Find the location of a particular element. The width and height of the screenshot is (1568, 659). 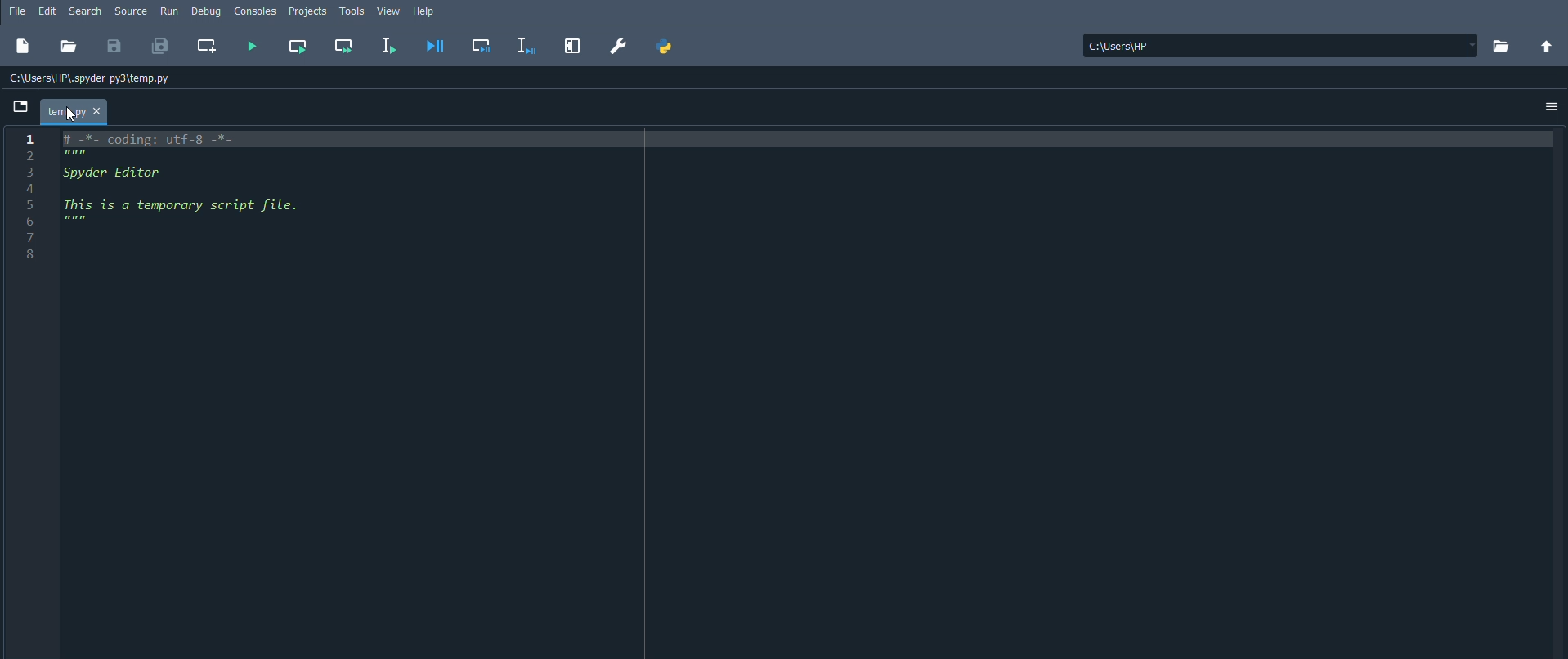

Spyder Editor This is a temporary script file is located at coordinates (195, 197).